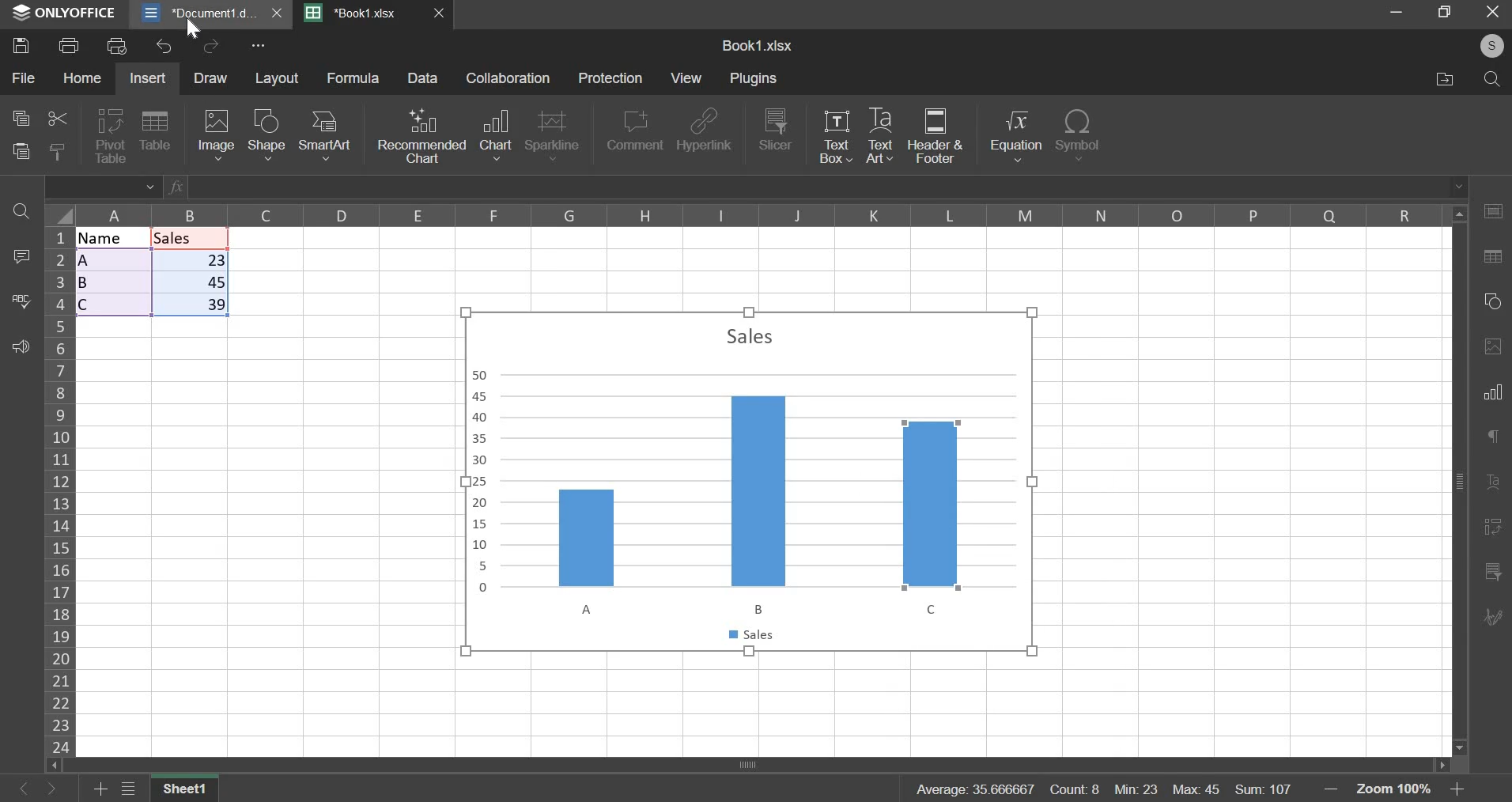 The width and height of the screenshot is (1512, 802). Describe the element at coordinates (155, 133) in the screenshot. I see `table` at that location.